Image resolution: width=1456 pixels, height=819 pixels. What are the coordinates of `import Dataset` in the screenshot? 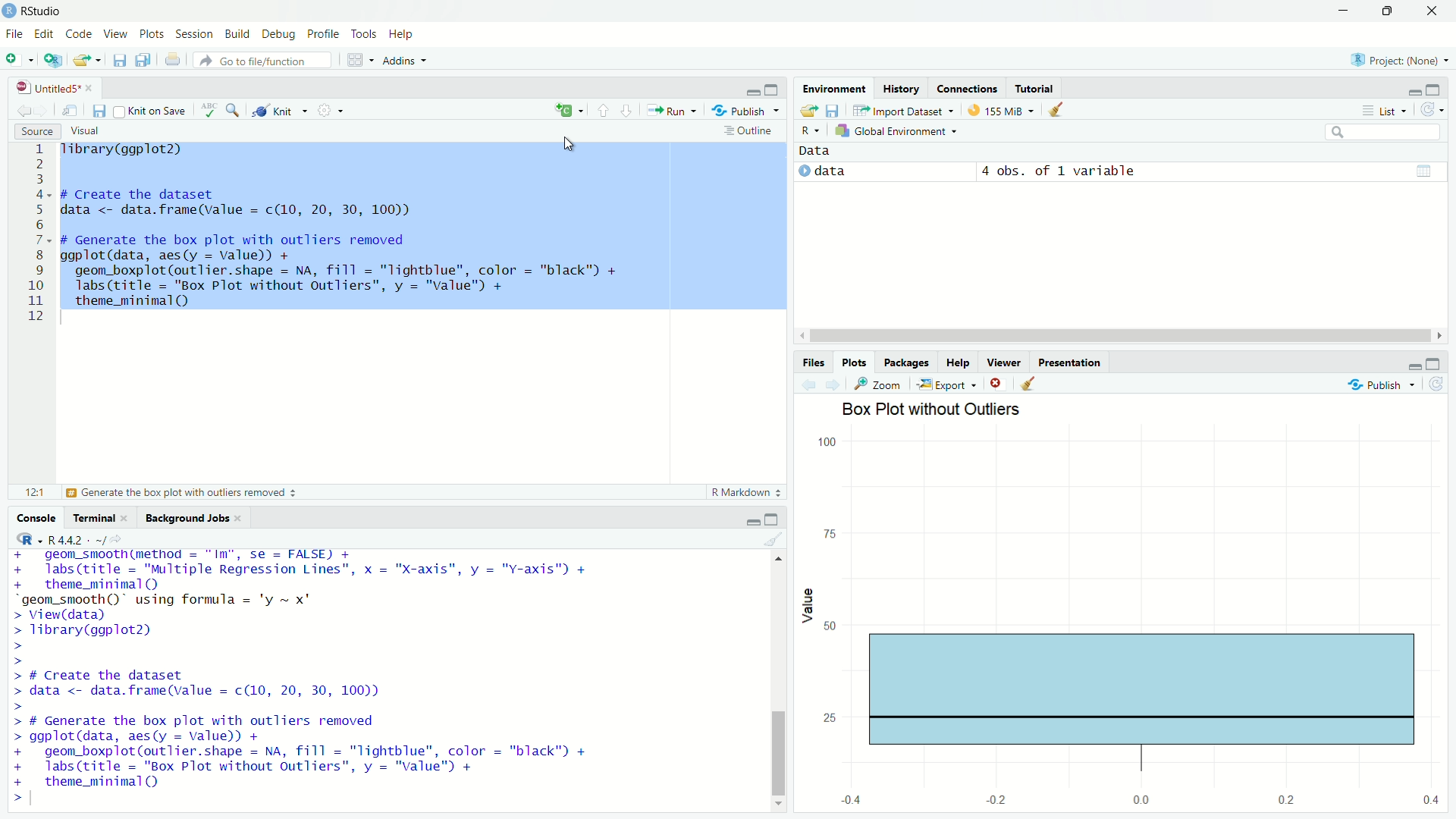 It's located at (901, 109).